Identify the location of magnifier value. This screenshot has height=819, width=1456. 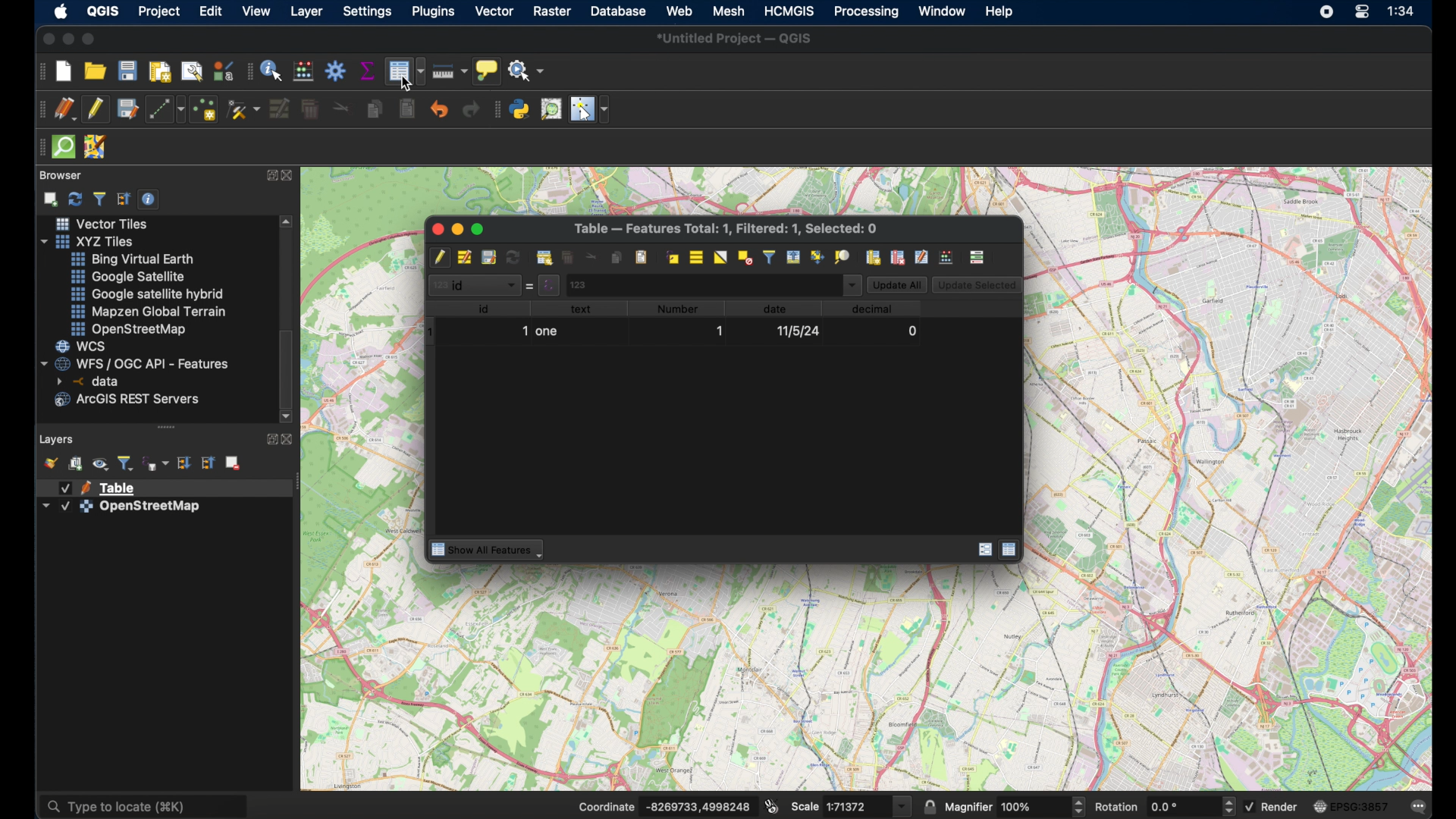
(1033, 805).